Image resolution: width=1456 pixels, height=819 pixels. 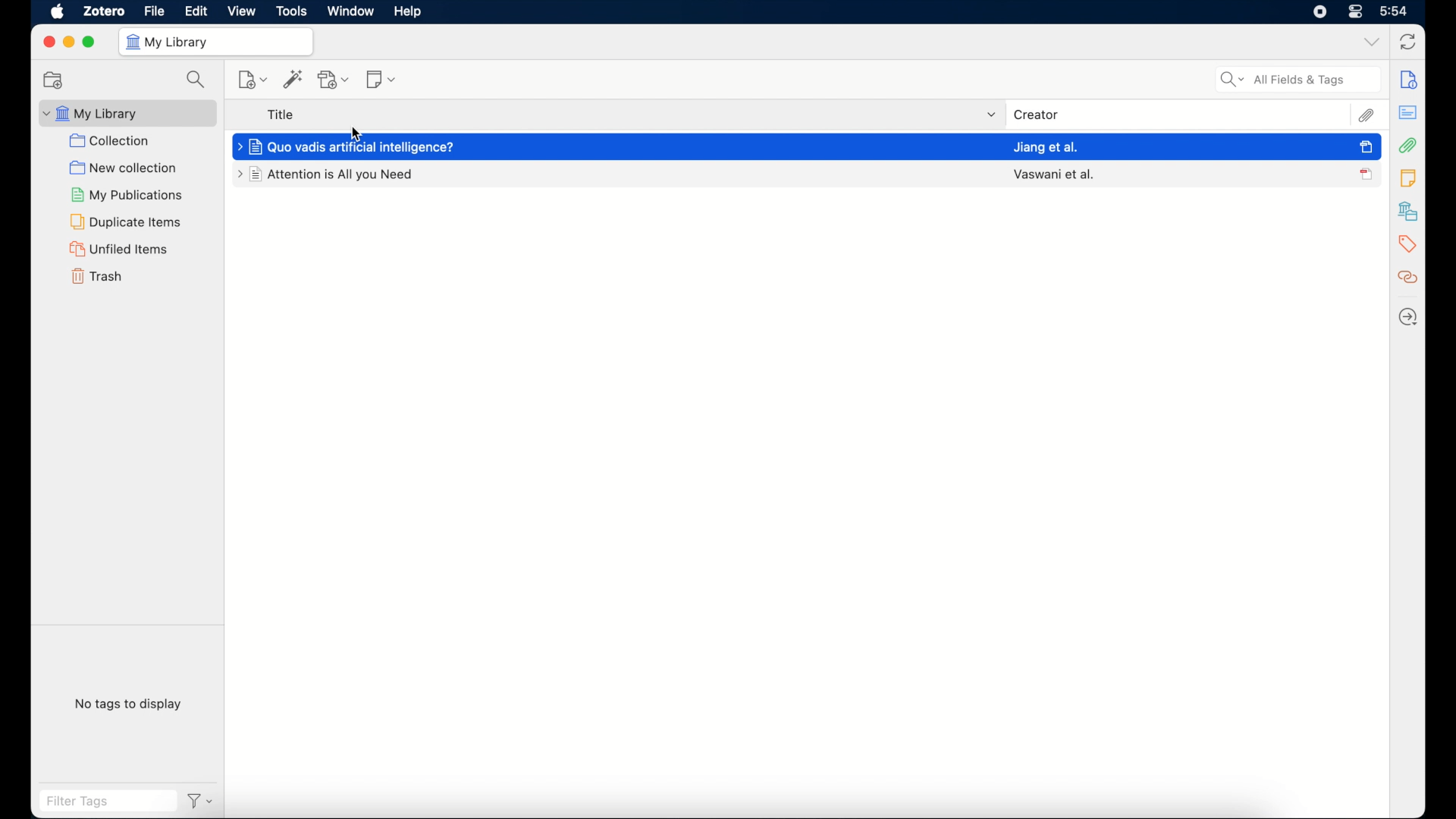 I want to click on maximize, so click(x=90, y=42).